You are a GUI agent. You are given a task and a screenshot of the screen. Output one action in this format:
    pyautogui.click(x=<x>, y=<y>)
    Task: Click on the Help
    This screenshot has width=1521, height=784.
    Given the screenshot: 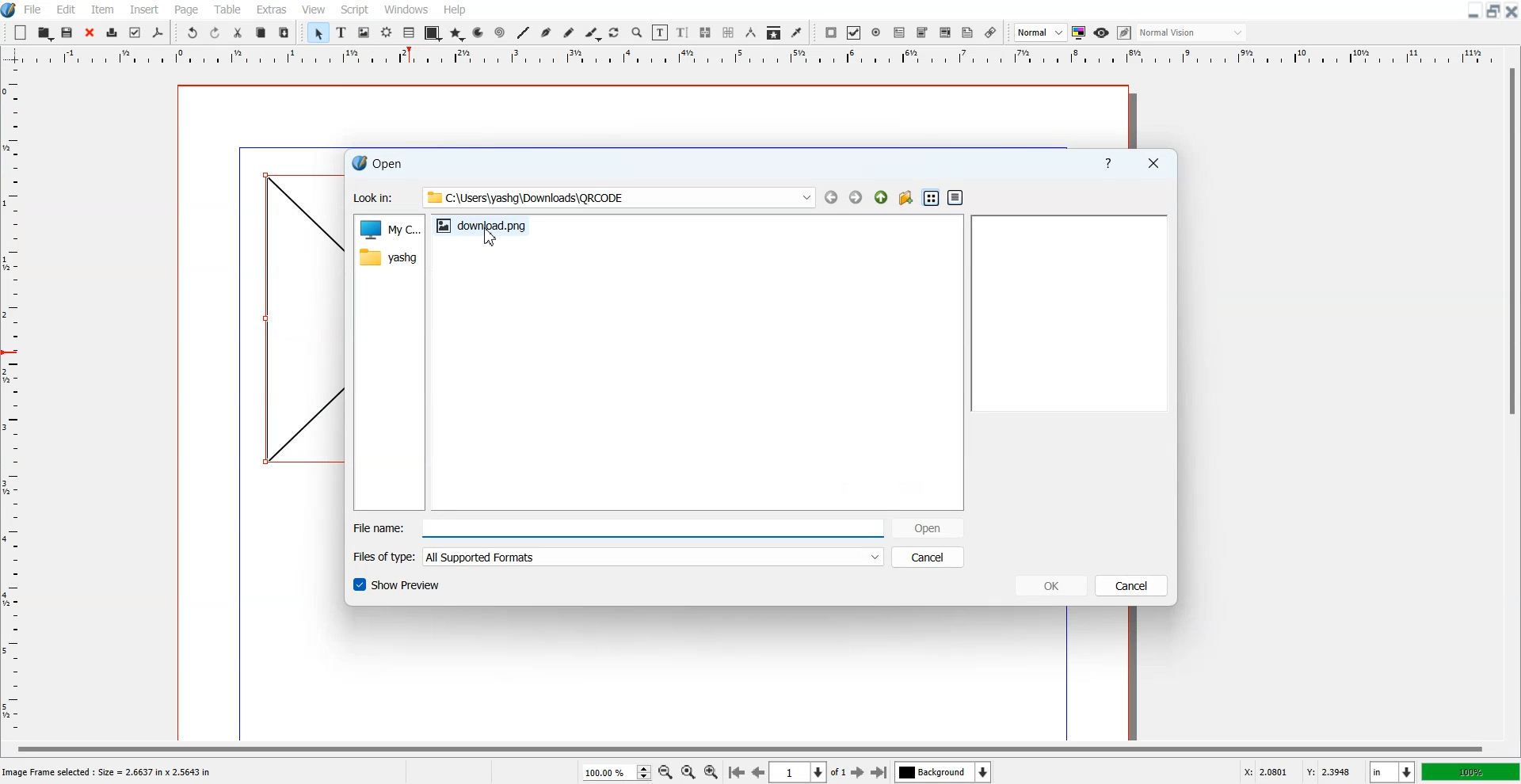 What is the action you would take?
    pyautogui.click(x=456, y=10)
    